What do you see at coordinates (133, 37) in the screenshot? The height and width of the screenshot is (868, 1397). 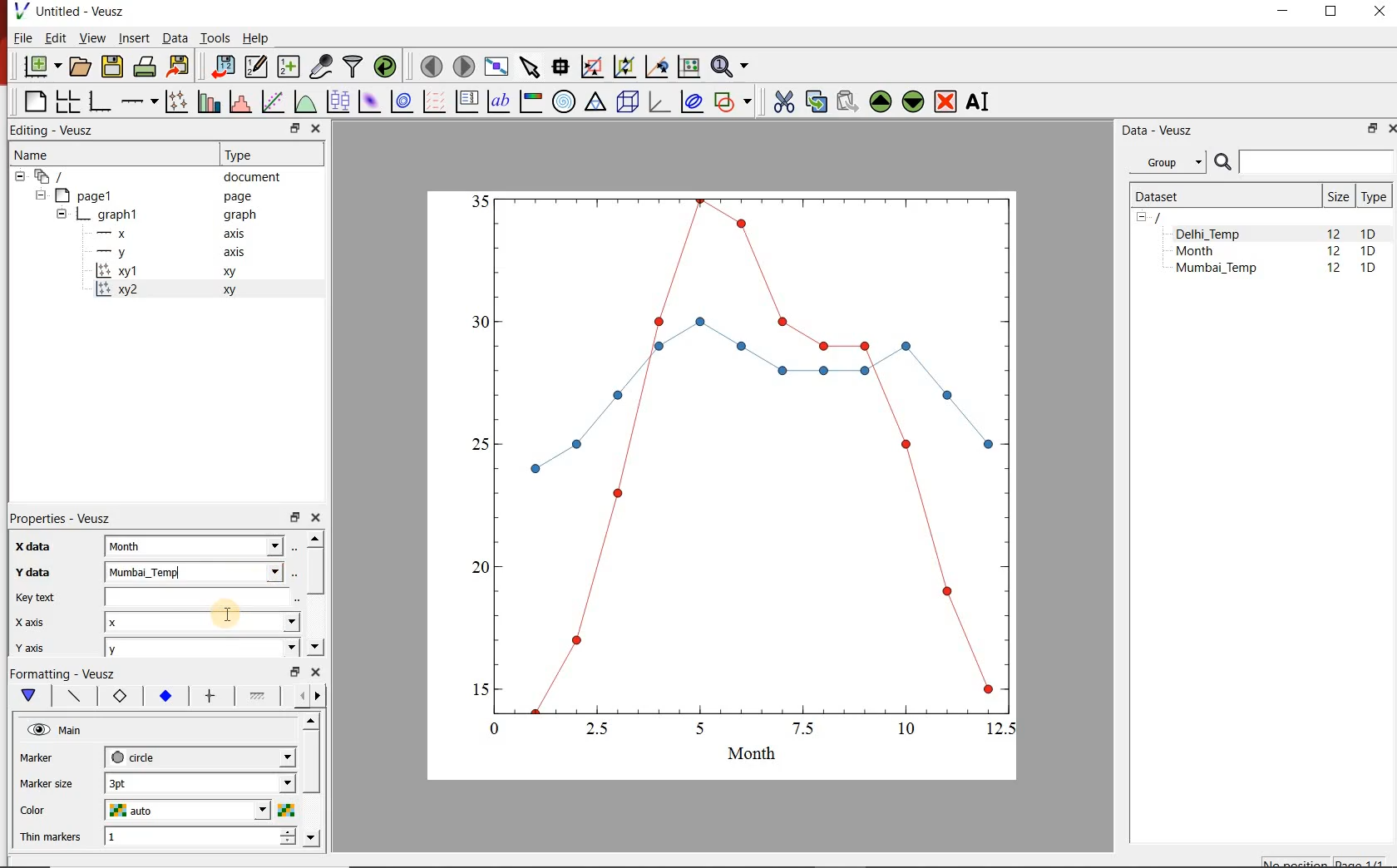 I see `Insert` at bounding box center [133, 37].